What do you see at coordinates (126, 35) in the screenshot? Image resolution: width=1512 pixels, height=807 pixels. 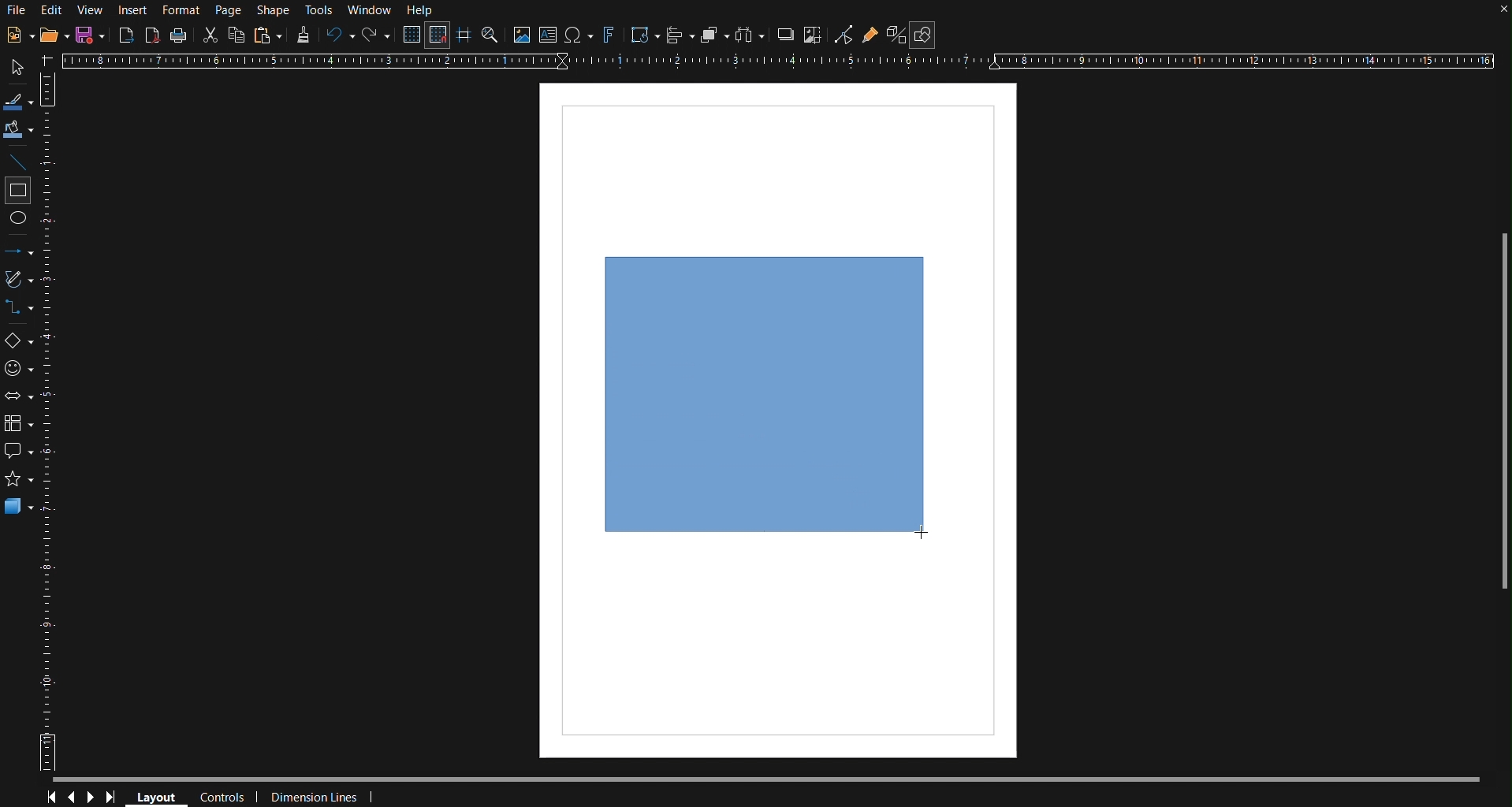 I see `Export` at bounding box center [126, 35].